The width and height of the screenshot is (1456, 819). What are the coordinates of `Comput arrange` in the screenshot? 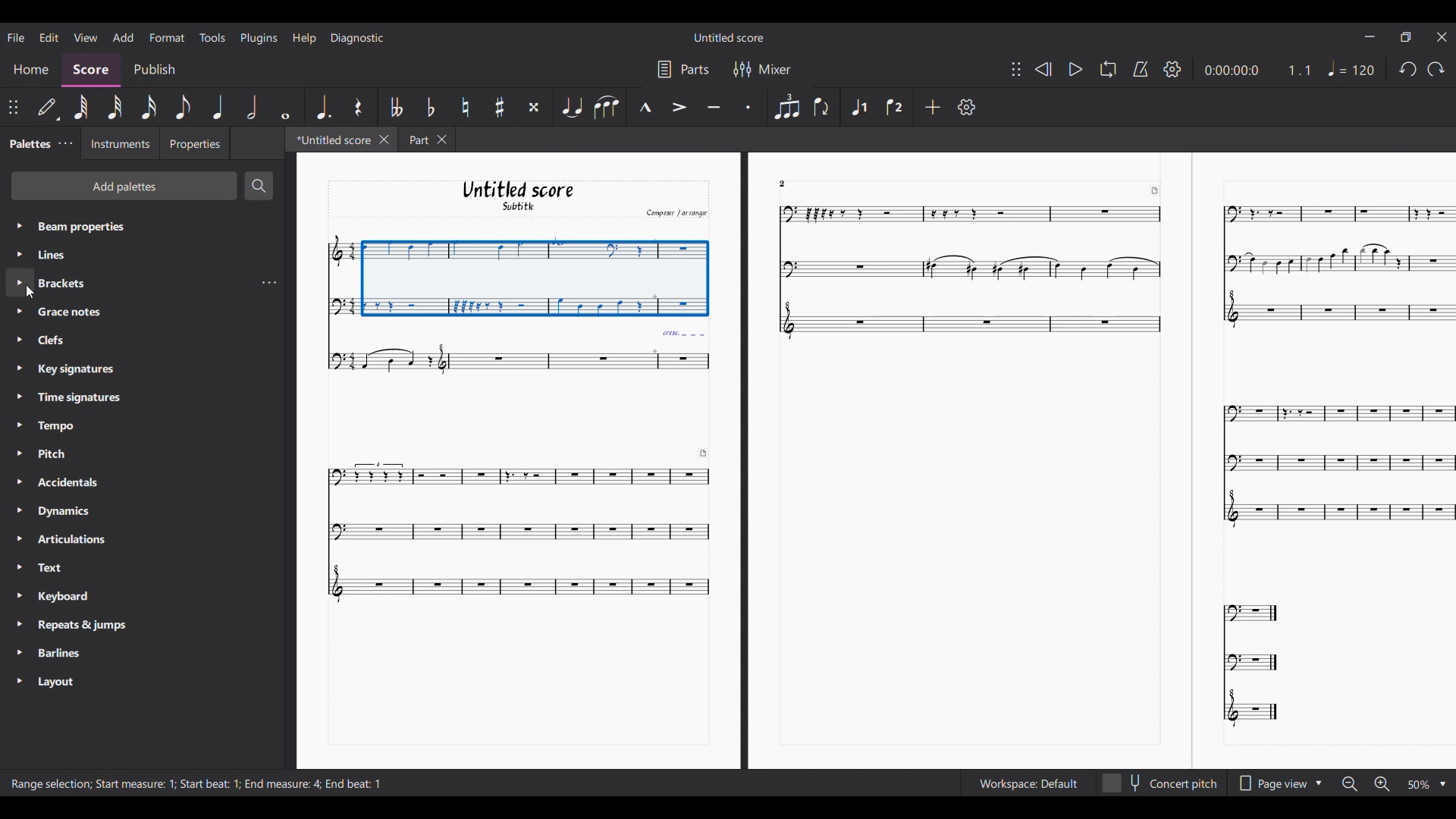 It's located at (673, 212).